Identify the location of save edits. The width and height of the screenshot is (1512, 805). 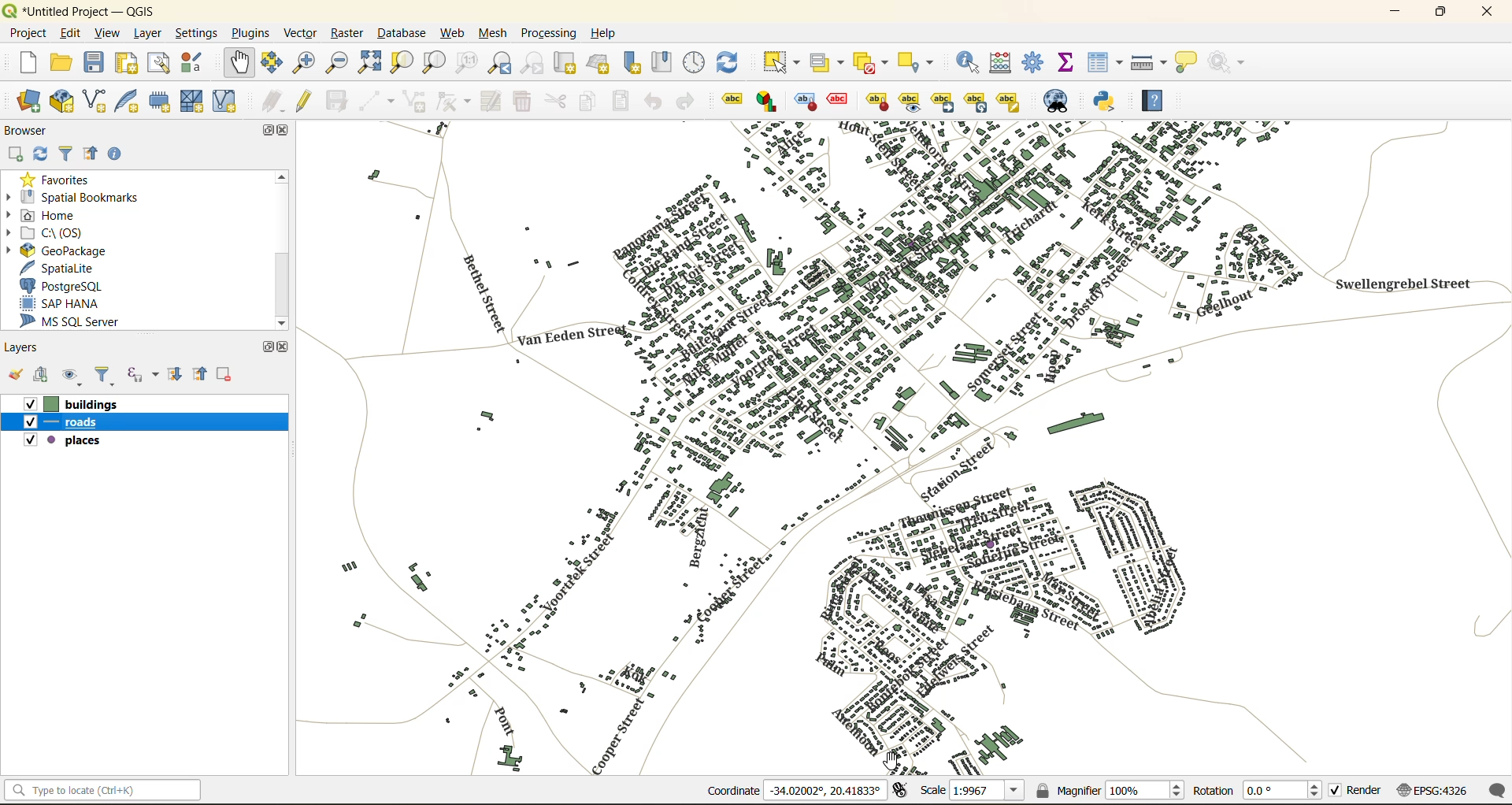
(340, 101).